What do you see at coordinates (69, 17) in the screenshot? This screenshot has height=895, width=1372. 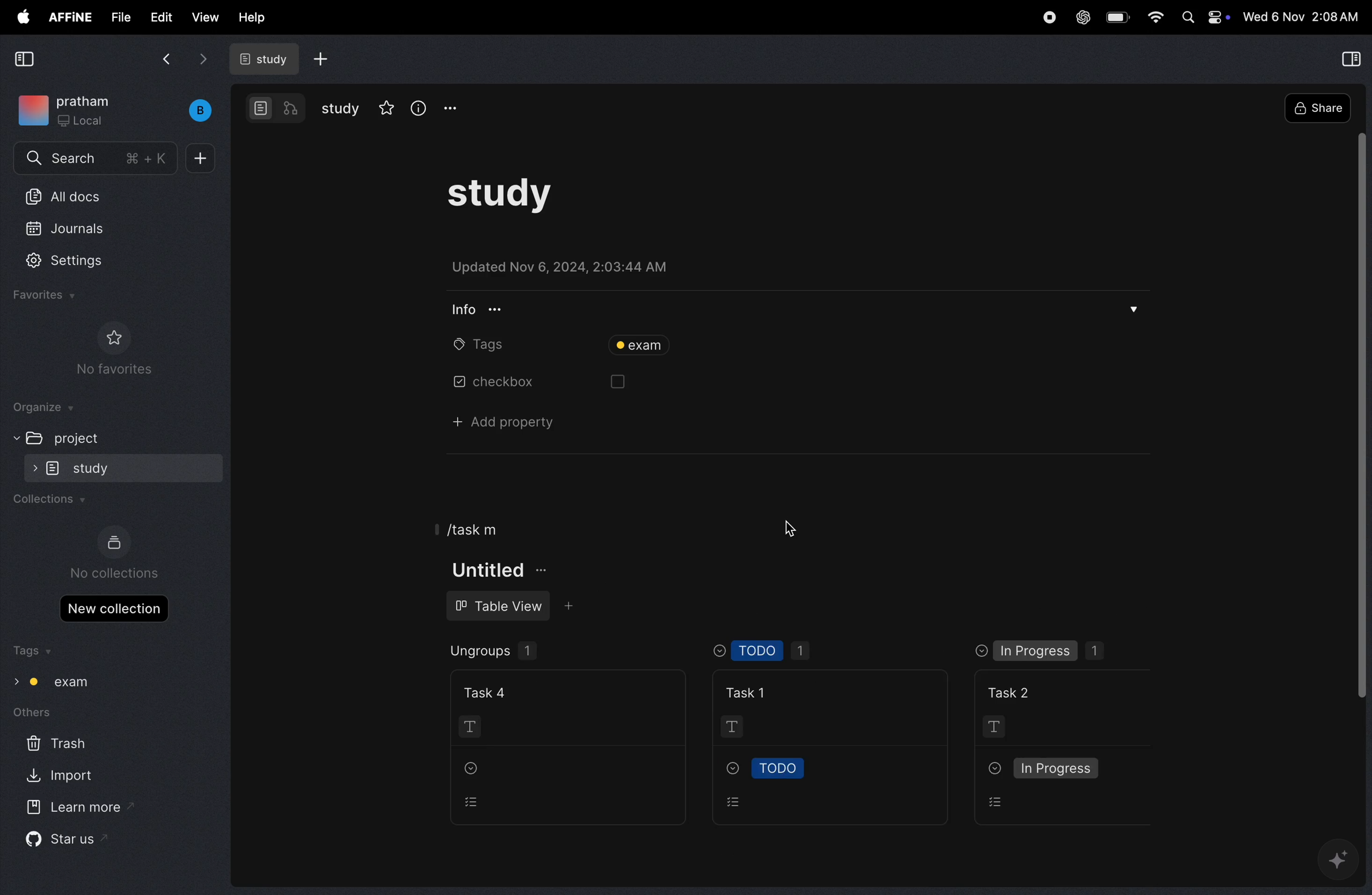 I see `affine` at bounding box center [69, 17].